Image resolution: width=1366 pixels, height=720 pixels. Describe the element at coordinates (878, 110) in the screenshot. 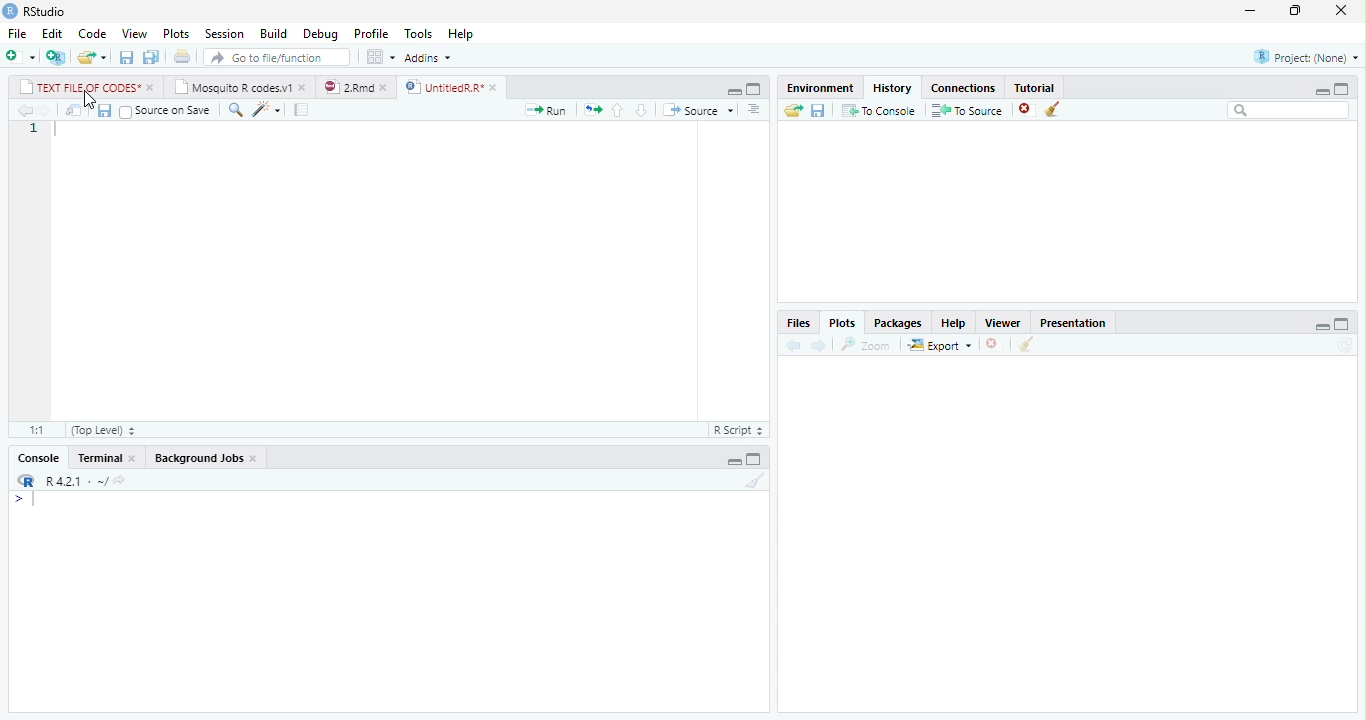

I see `To Console` at that location.